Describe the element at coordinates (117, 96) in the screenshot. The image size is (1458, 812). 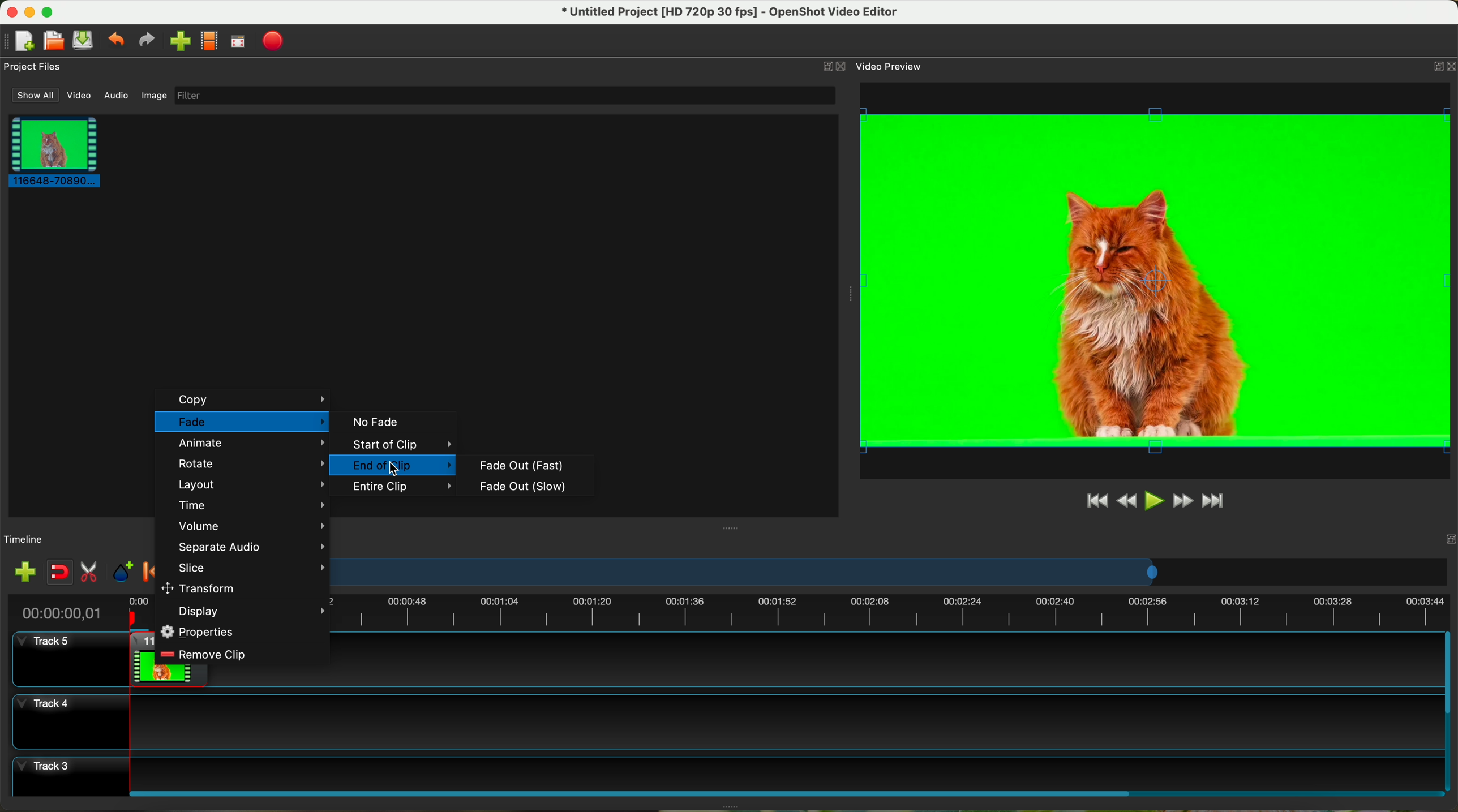
I see `audio` at that location.